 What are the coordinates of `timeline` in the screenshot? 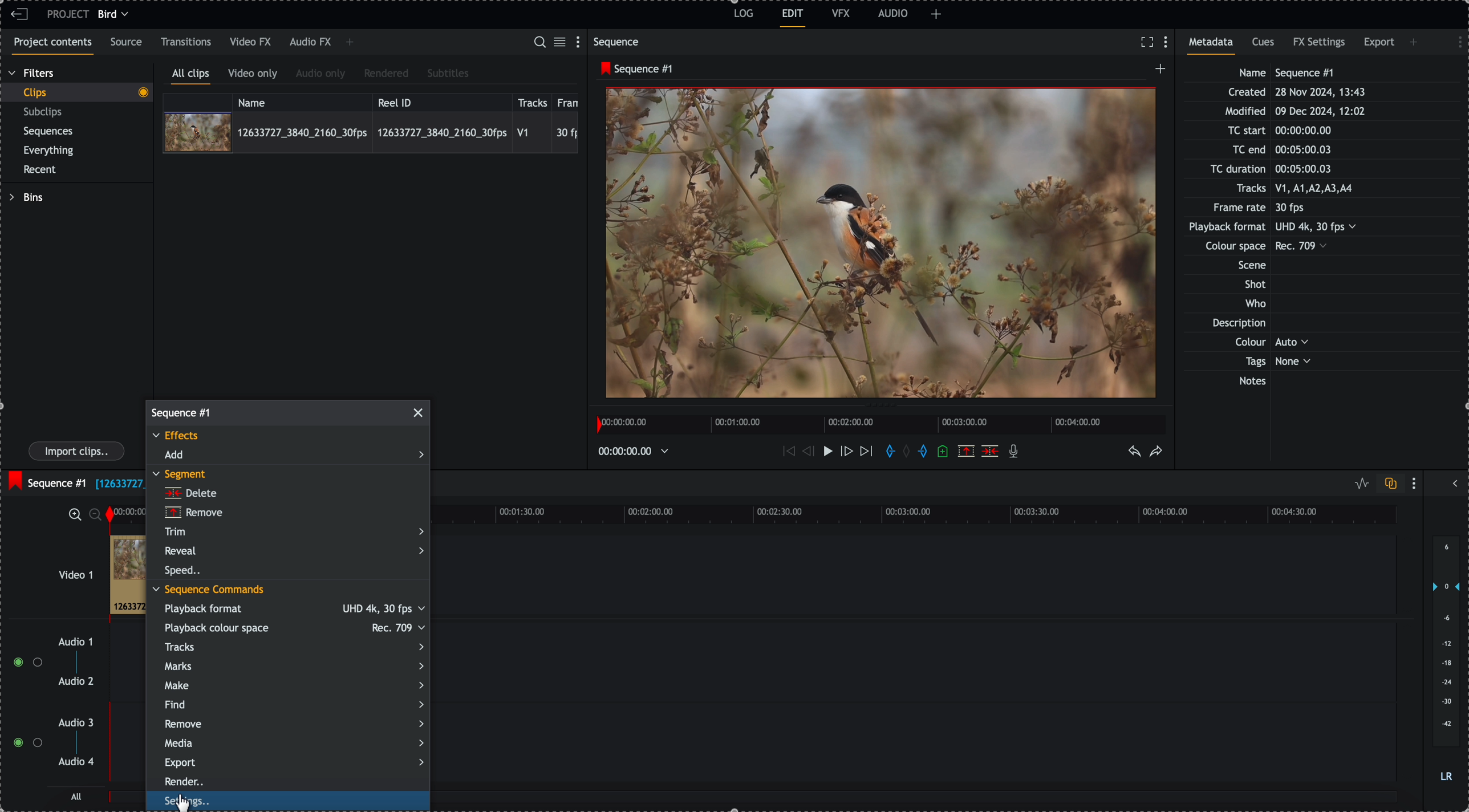 It's located at (884, 423).